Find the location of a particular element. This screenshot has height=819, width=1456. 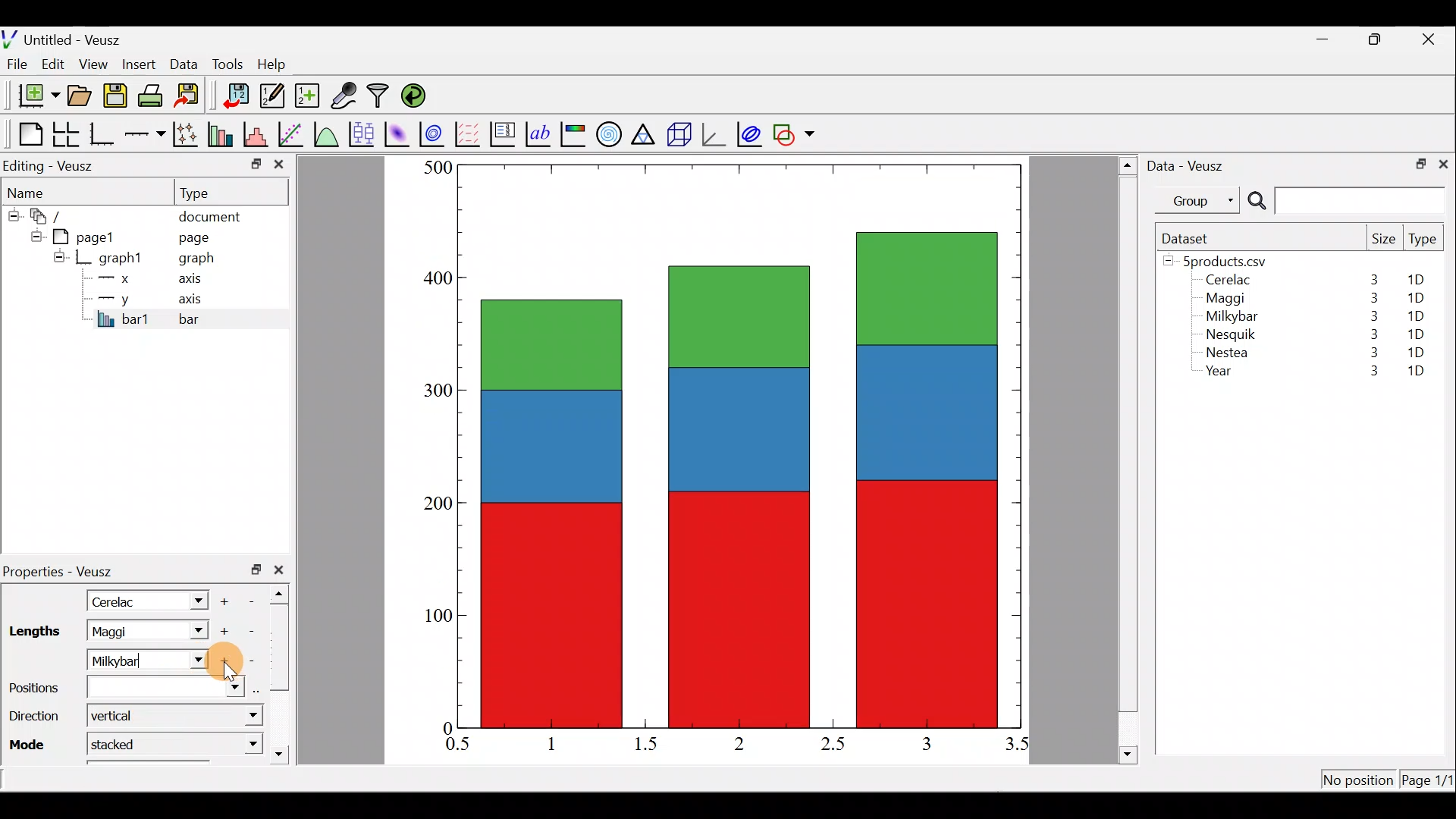

3 is located at coordinates (1370, 355).